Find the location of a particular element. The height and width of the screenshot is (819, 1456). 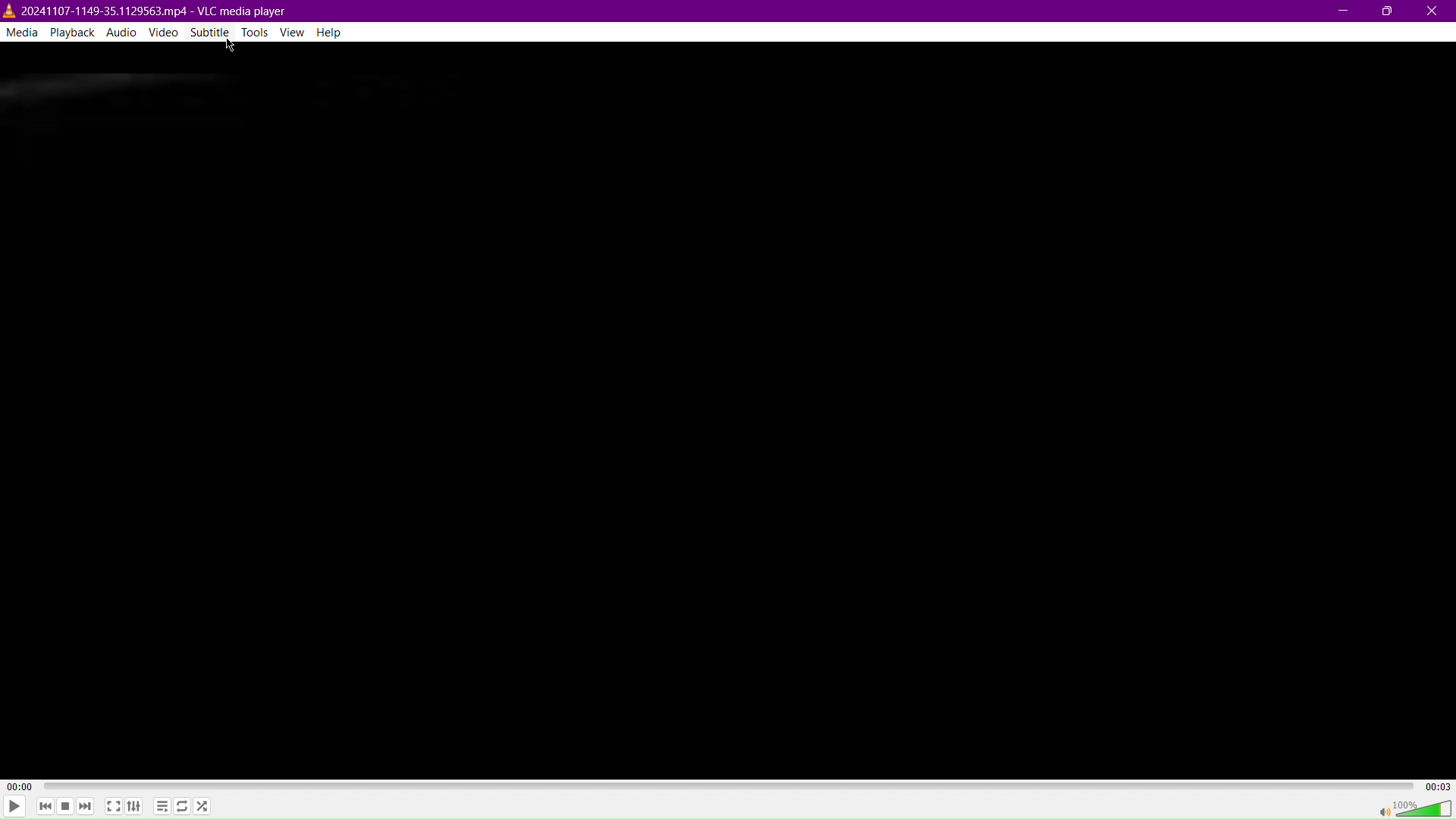

Stop is located at coordinates (64, 808).